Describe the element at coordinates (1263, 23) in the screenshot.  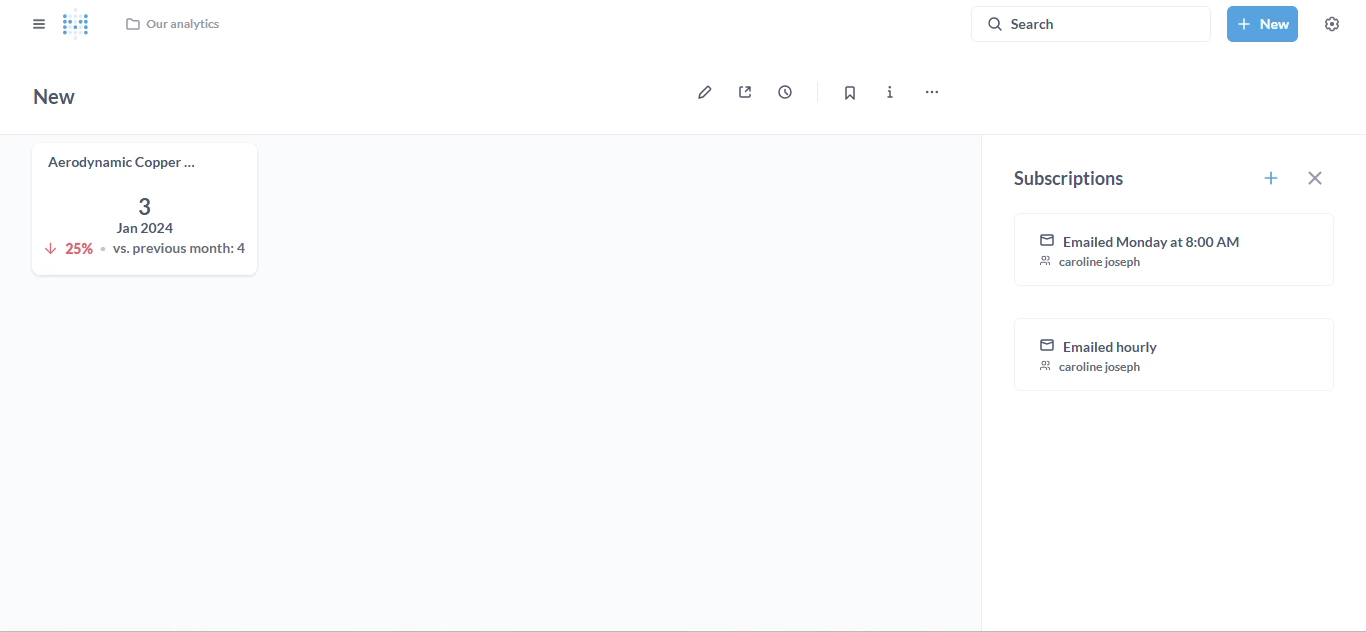
I see `new` at that location.